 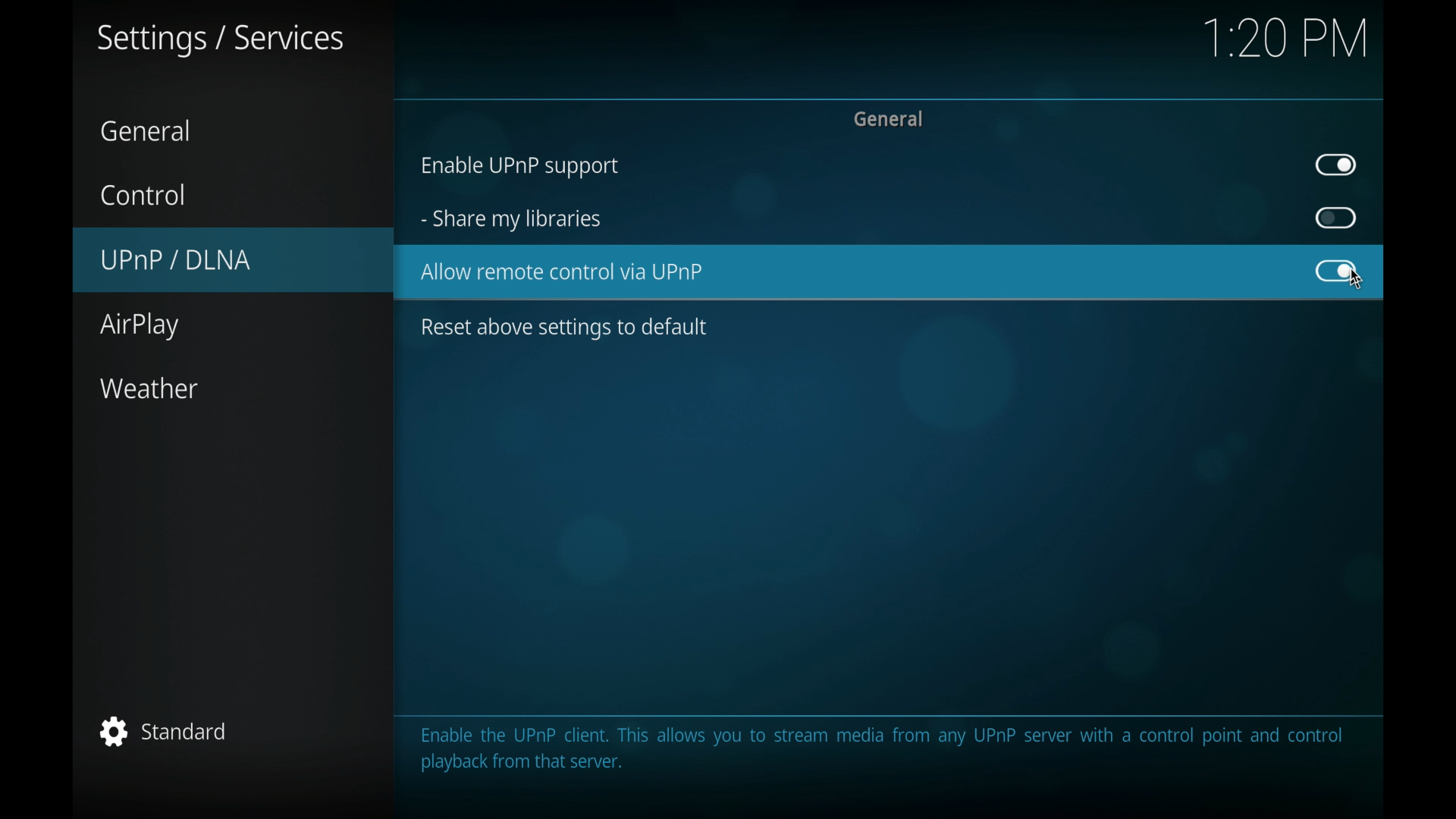 I want to click on toggle button on, so click(x=1337, y=271).